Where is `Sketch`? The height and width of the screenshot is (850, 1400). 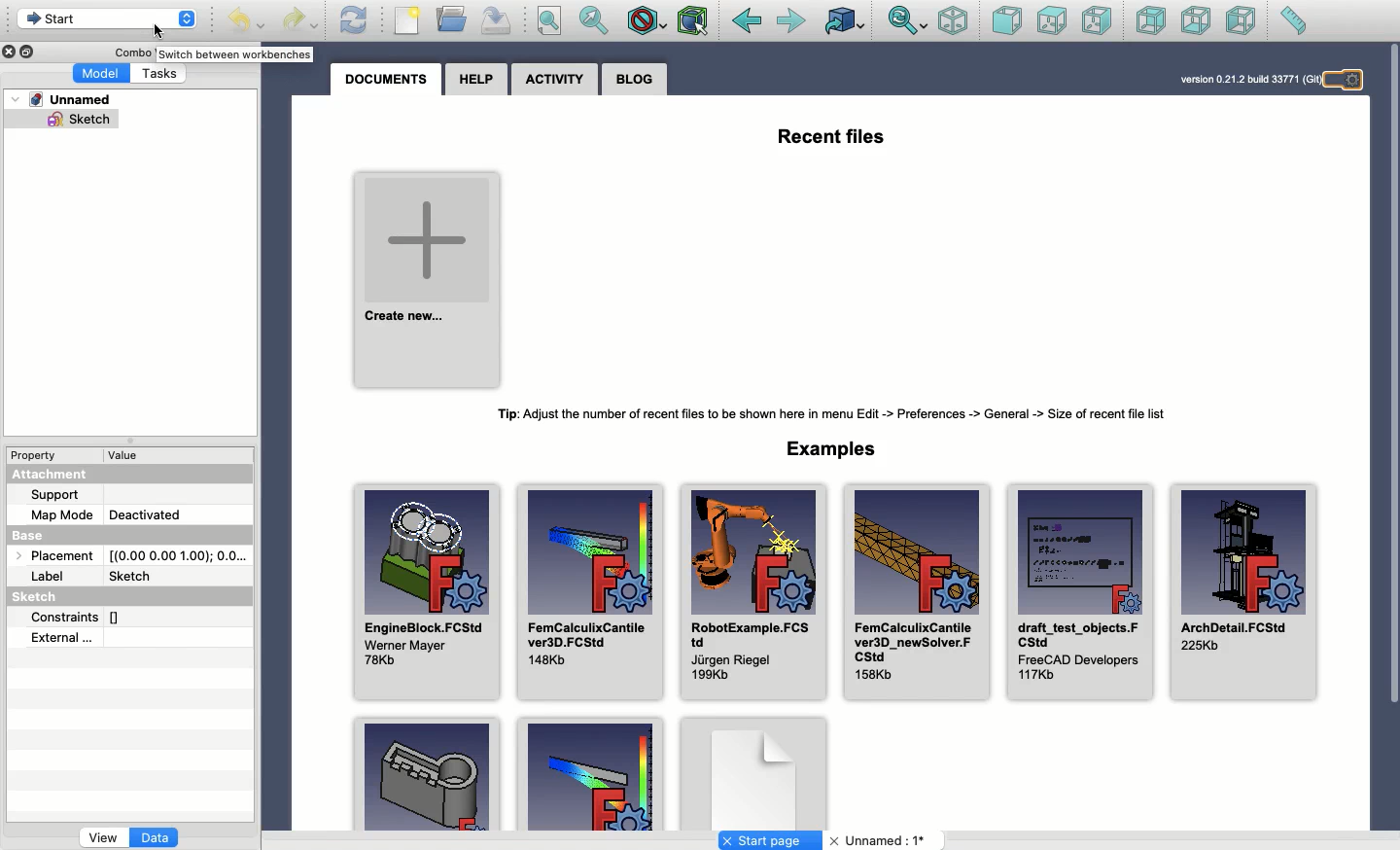 Sketch is located at coordinates (76, 119).